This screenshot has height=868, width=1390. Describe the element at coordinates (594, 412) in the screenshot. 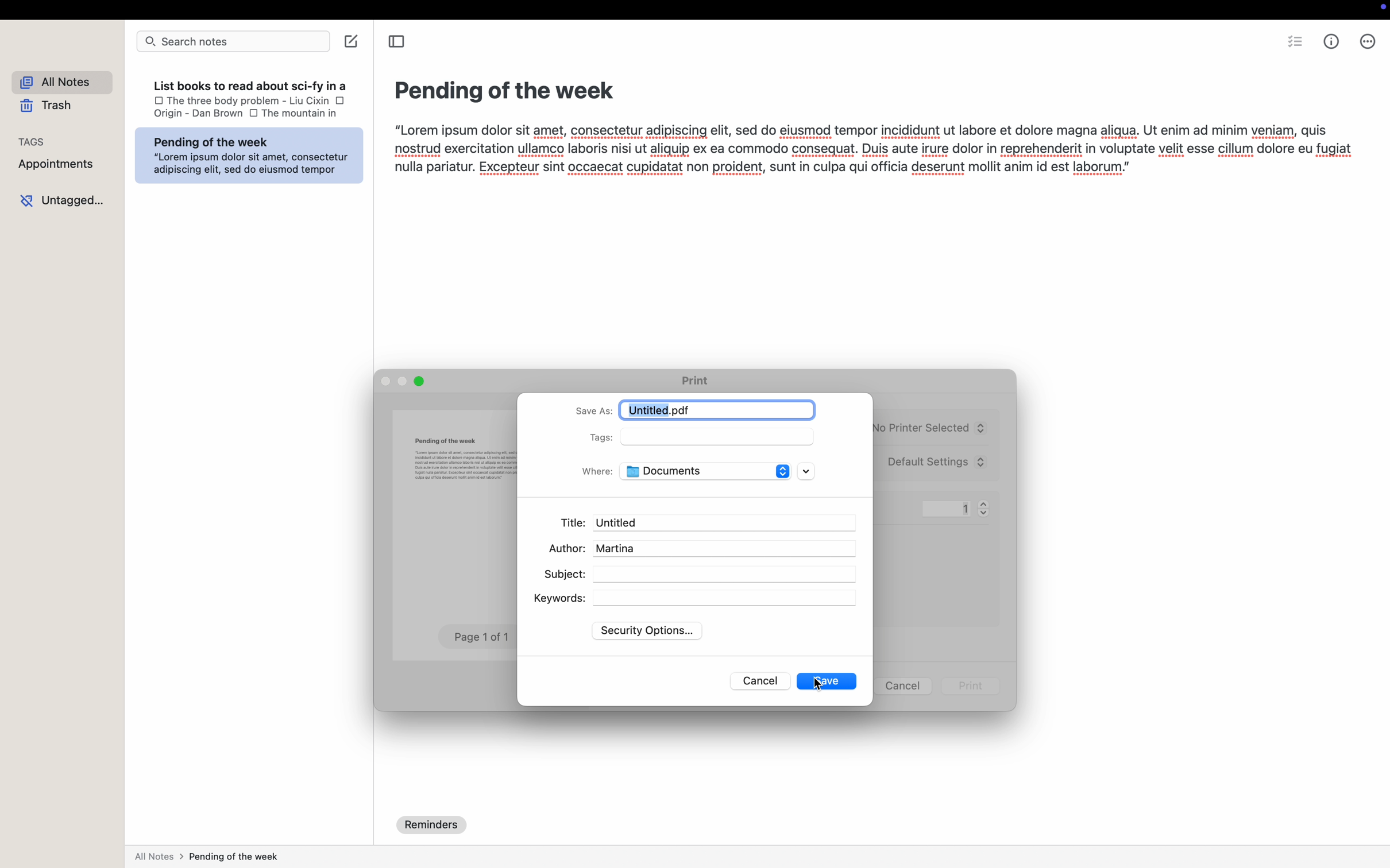

I see `save as` at that location.